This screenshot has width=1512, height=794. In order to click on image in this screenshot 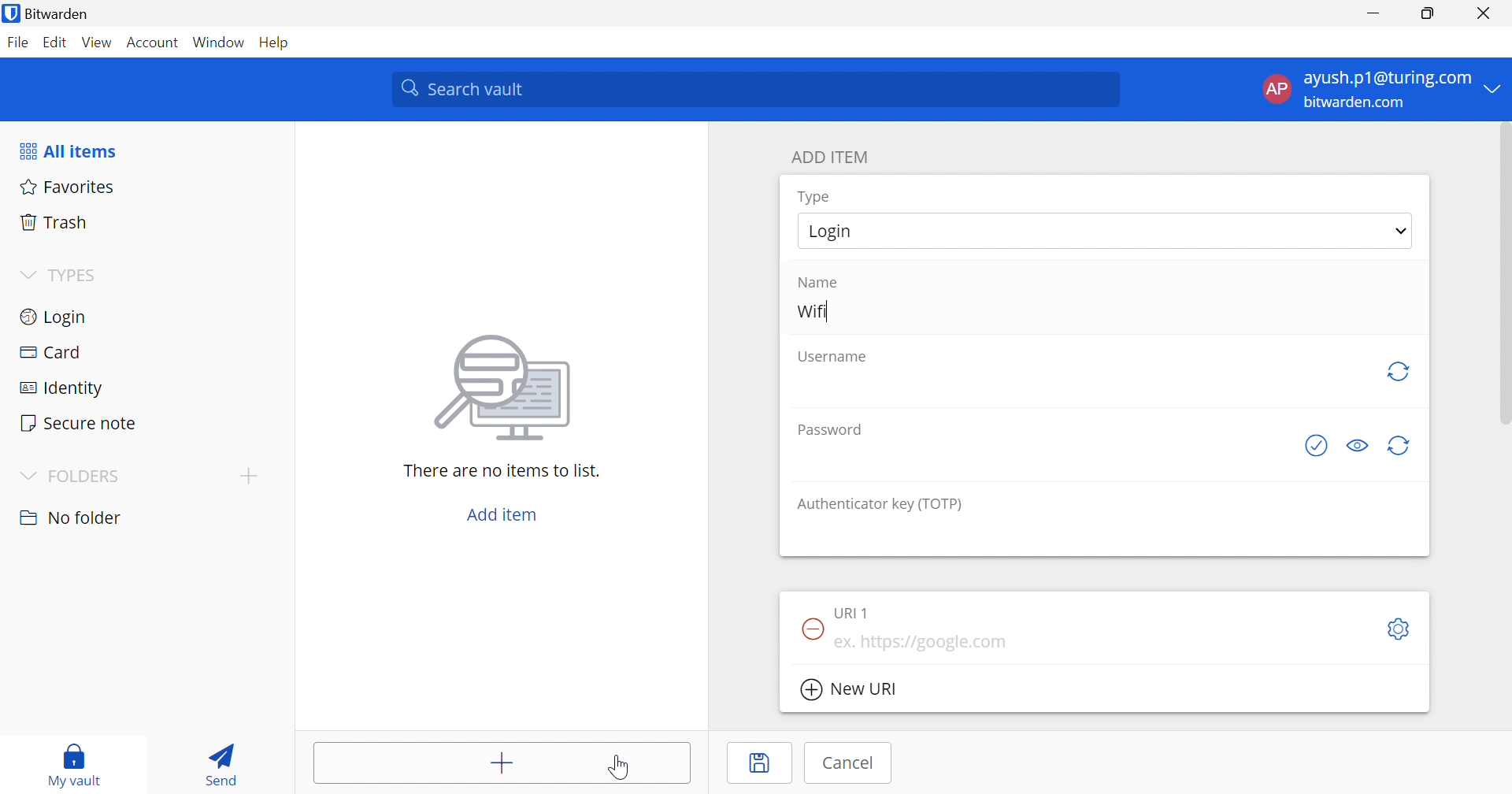, I will do `click(507, 383)`.